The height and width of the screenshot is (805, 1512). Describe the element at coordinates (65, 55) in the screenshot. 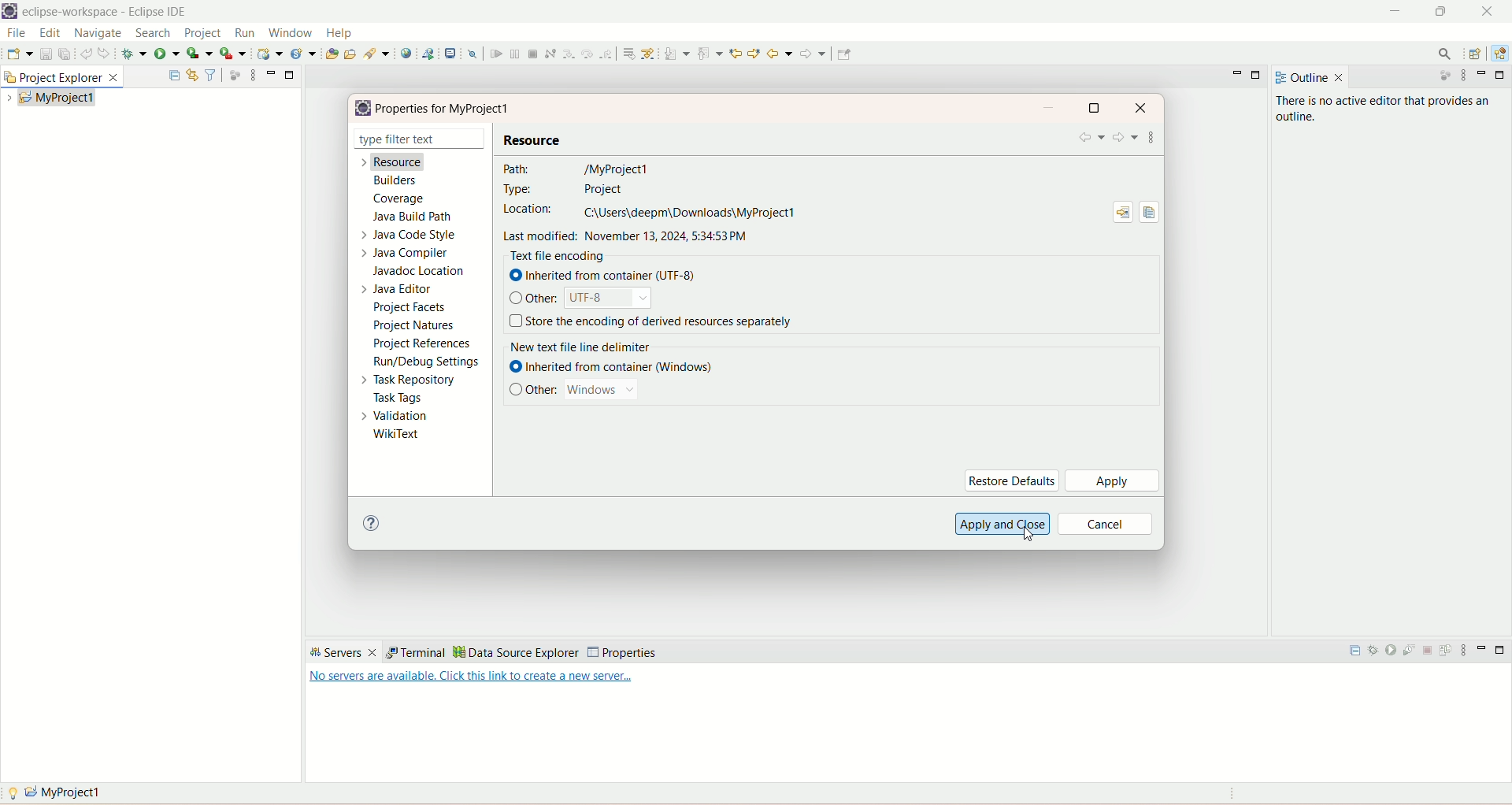

I see `save all` at that location.